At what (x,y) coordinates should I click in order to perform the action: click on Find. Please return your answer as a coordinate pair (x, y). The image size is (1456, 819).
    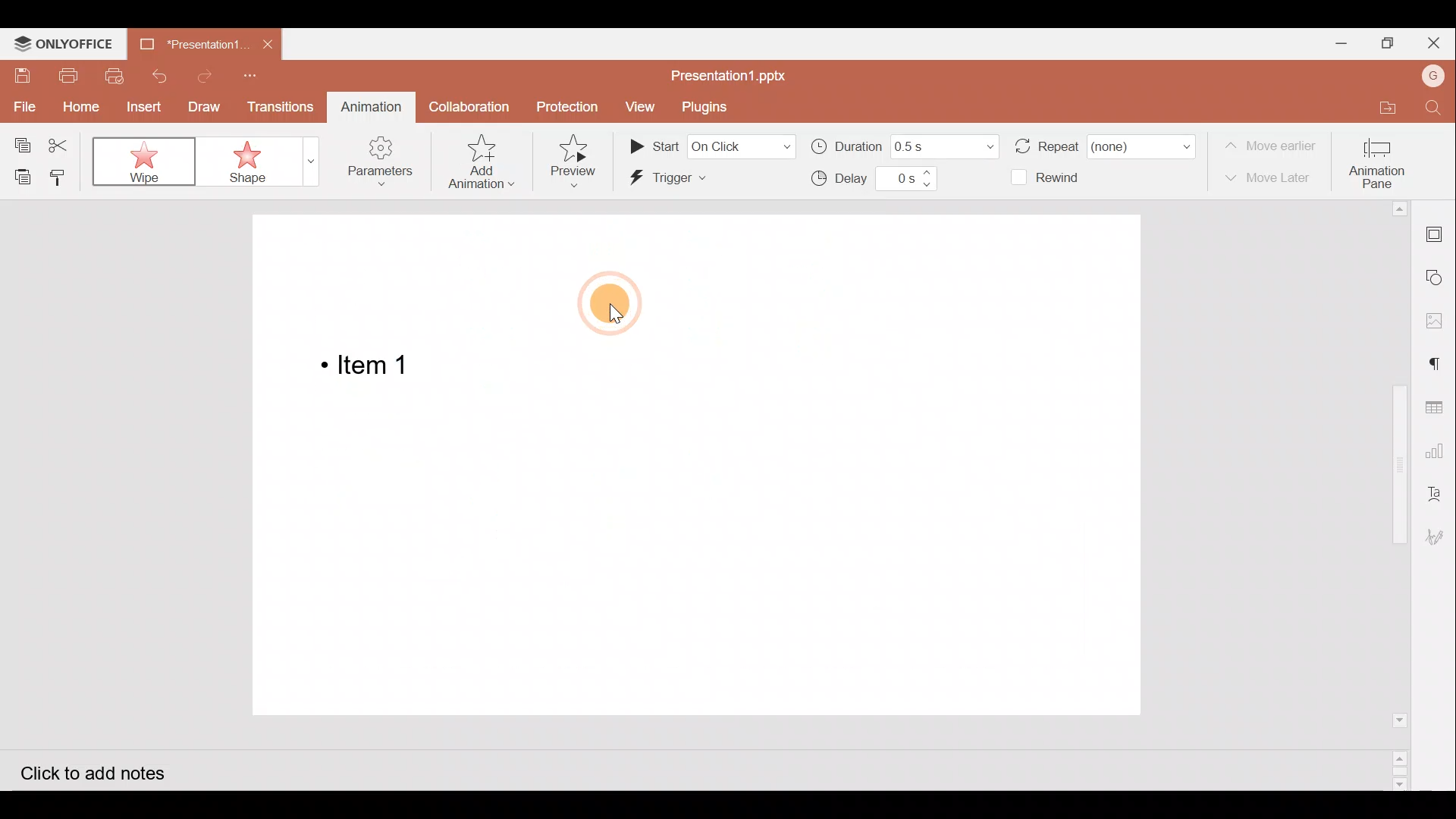
    Looking at the image, I should click on (1432, 104).